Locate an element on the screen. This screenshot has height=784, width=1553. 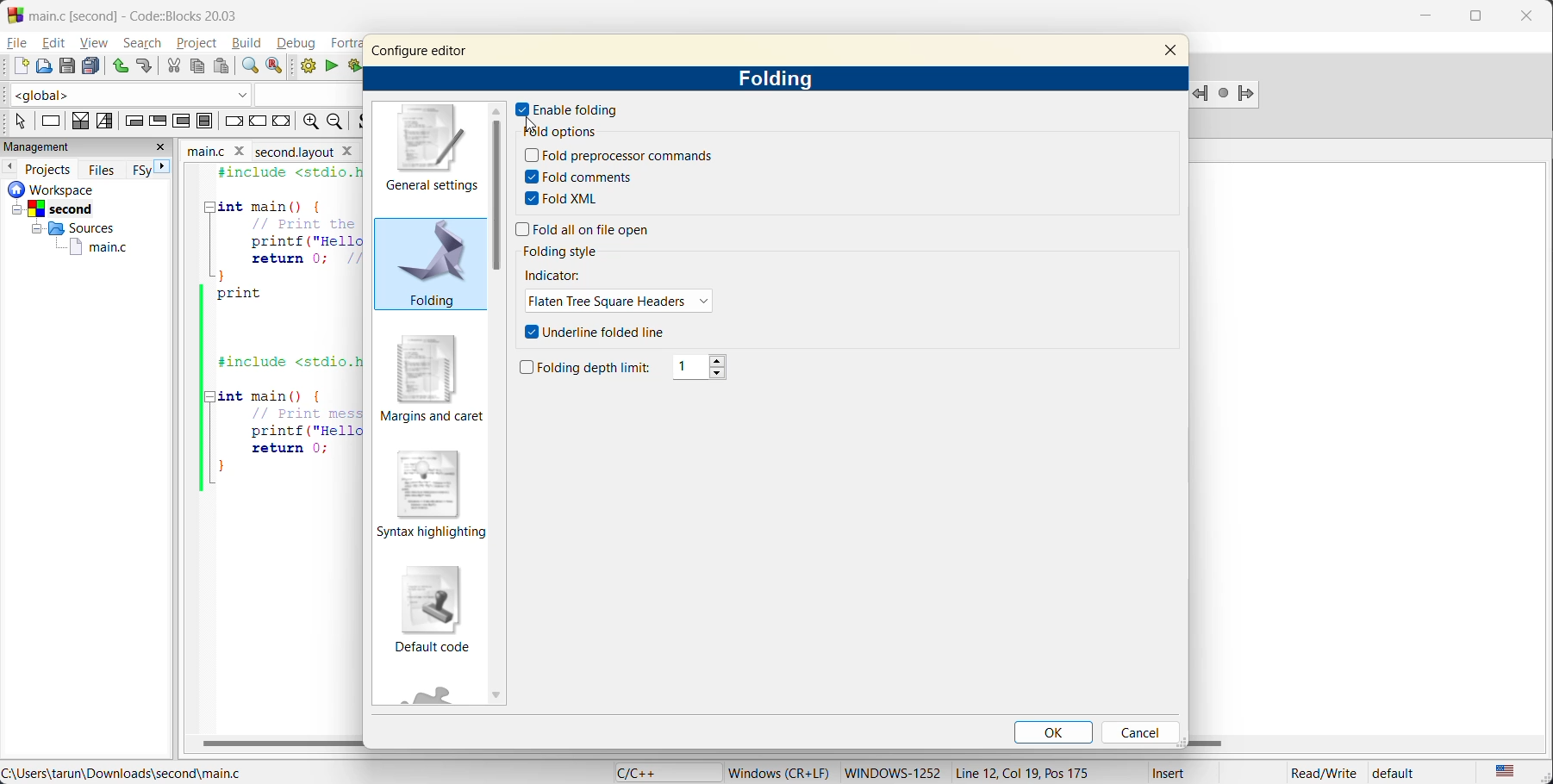
next is located at coordinates (164, 167).